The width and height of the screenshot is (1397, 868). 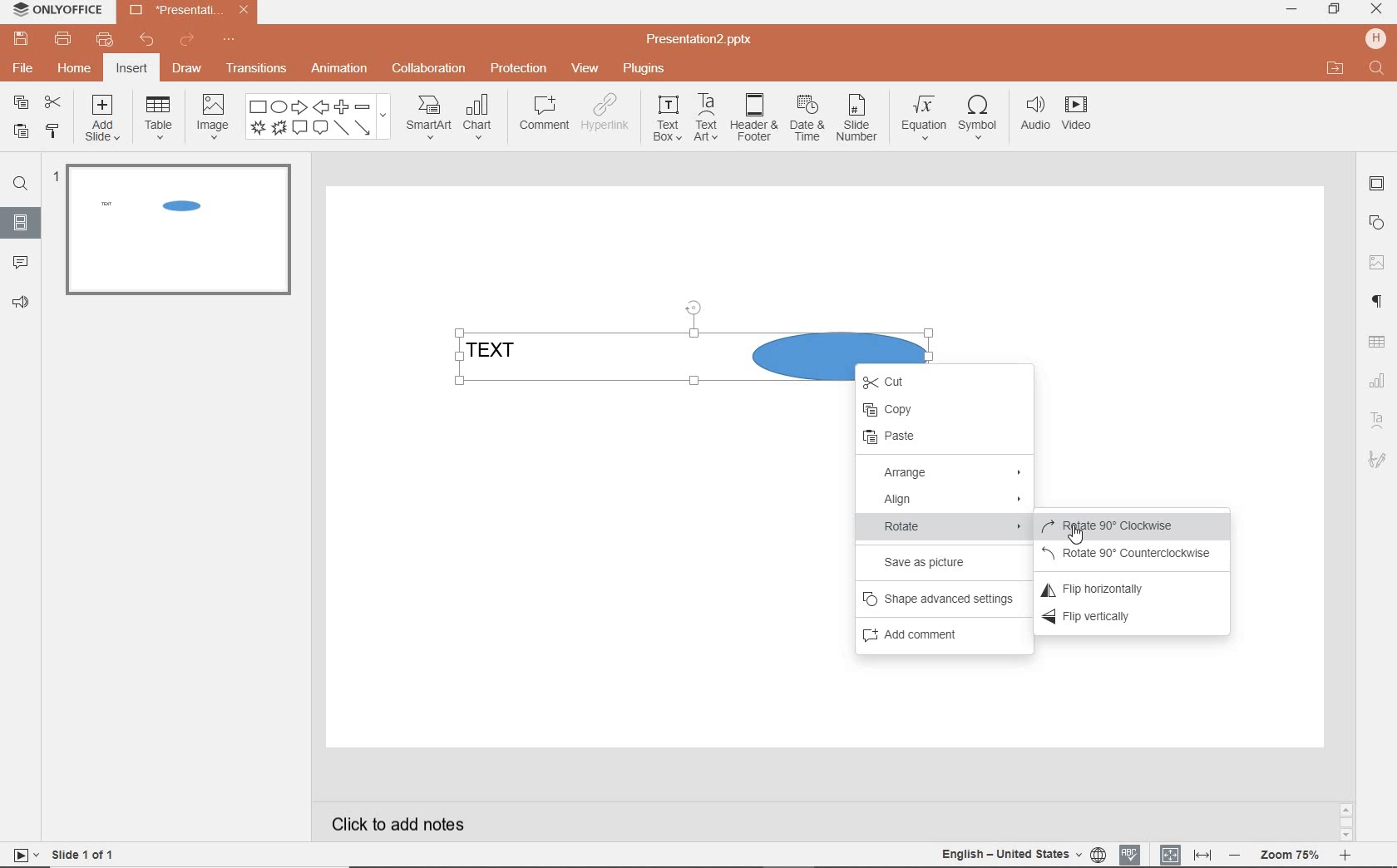 I want to click on animation, so click(x=338, y=70).